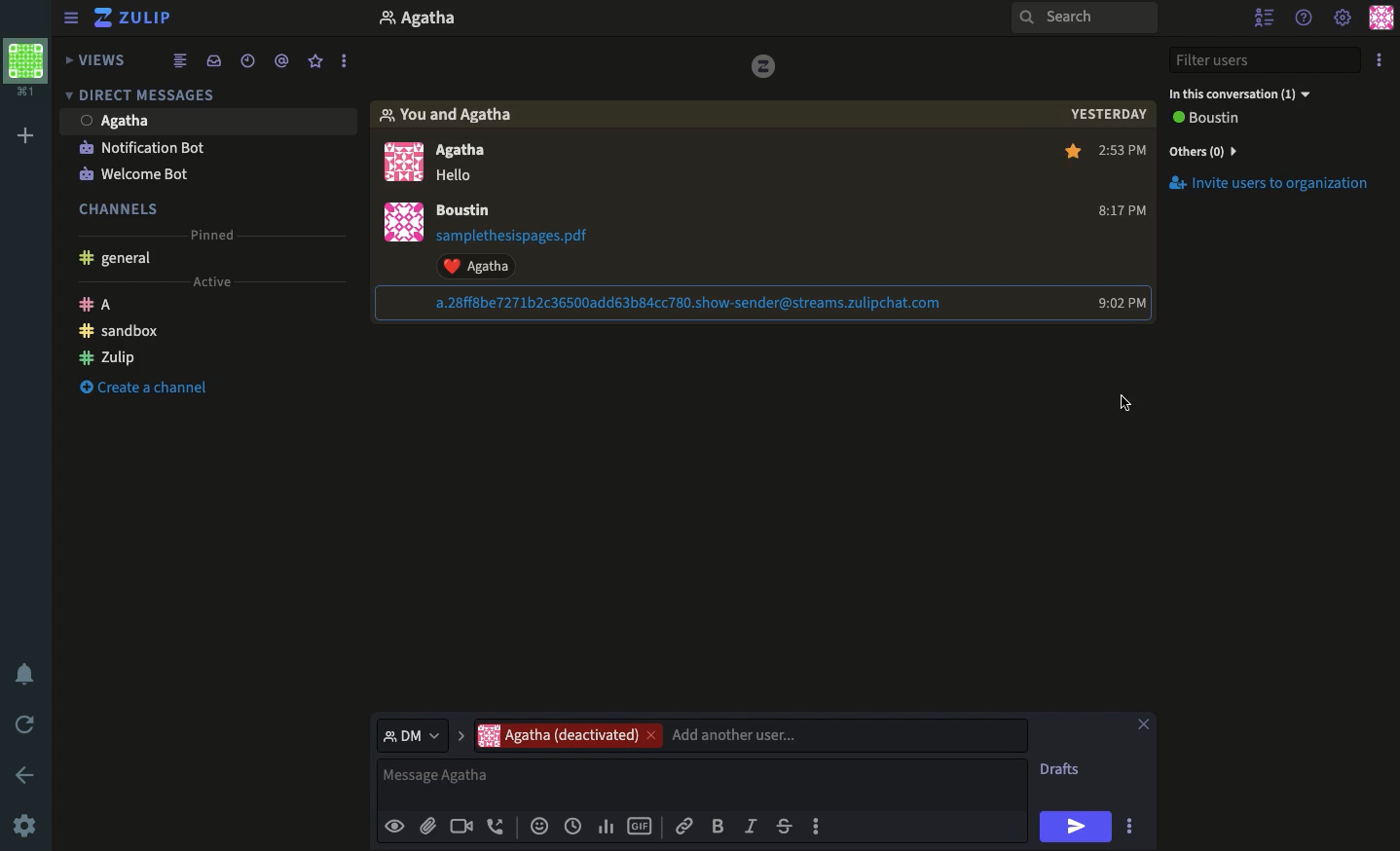 The width and height of the screenshot is (1400, 851). What do you see at coordinates (1118, 301) in the screenshot?
I see `Time` at bounding box center [1118, 301].